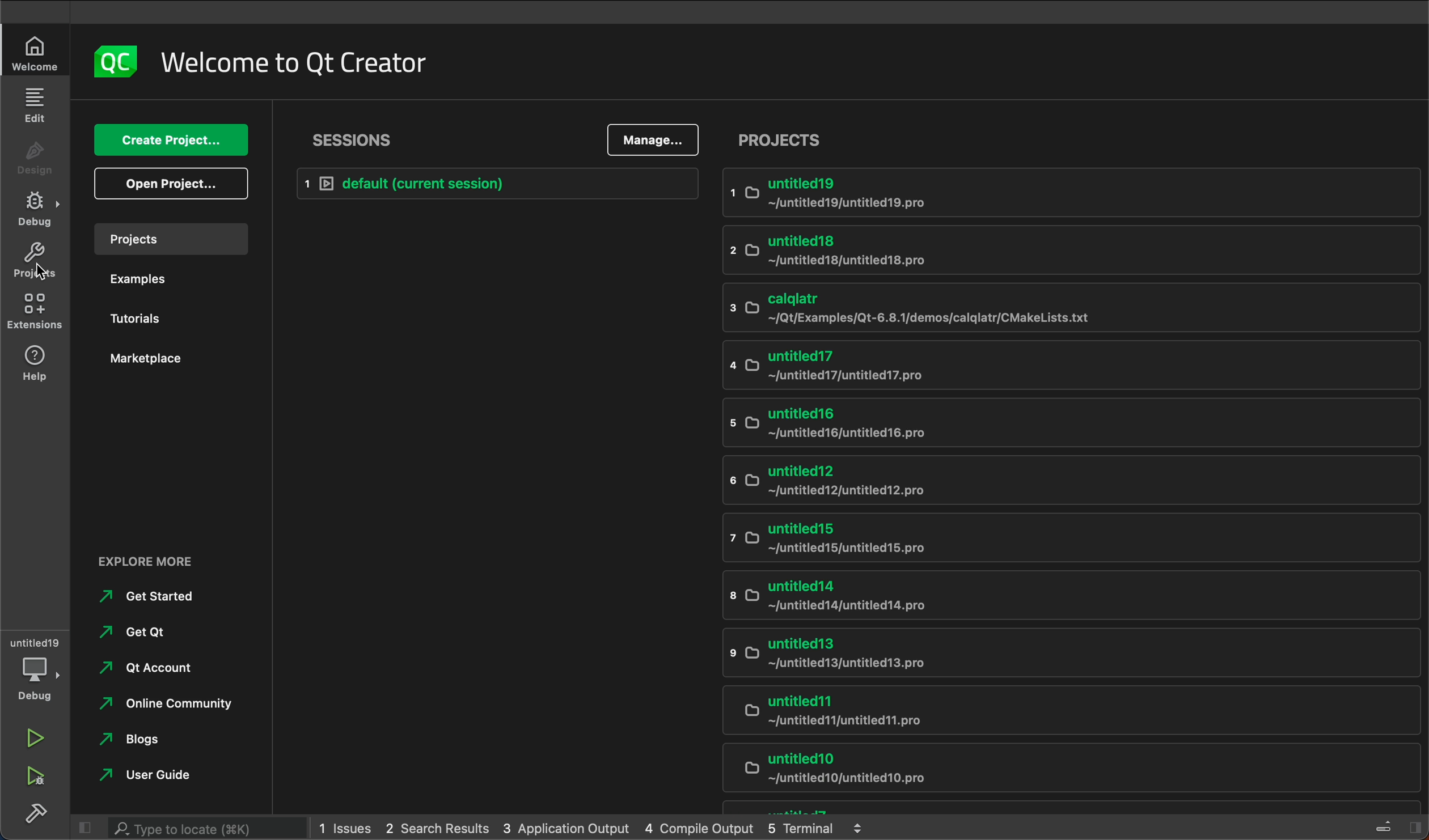 Image resolution: width=1429 pixels, height=840 pixels. I want to click on cursor, so click(38, 265).